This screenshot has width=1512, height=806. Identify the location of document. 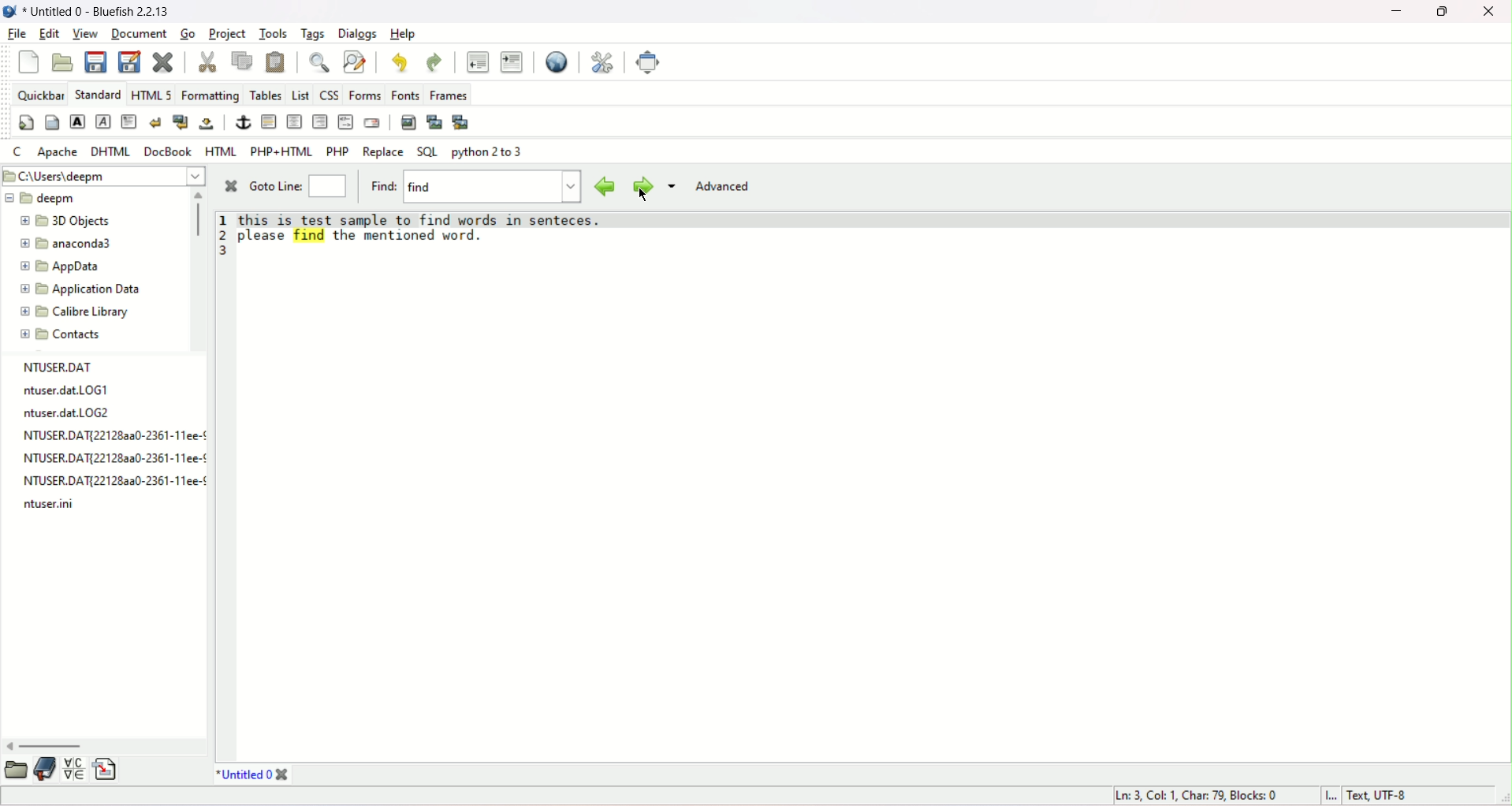
(137, 33).